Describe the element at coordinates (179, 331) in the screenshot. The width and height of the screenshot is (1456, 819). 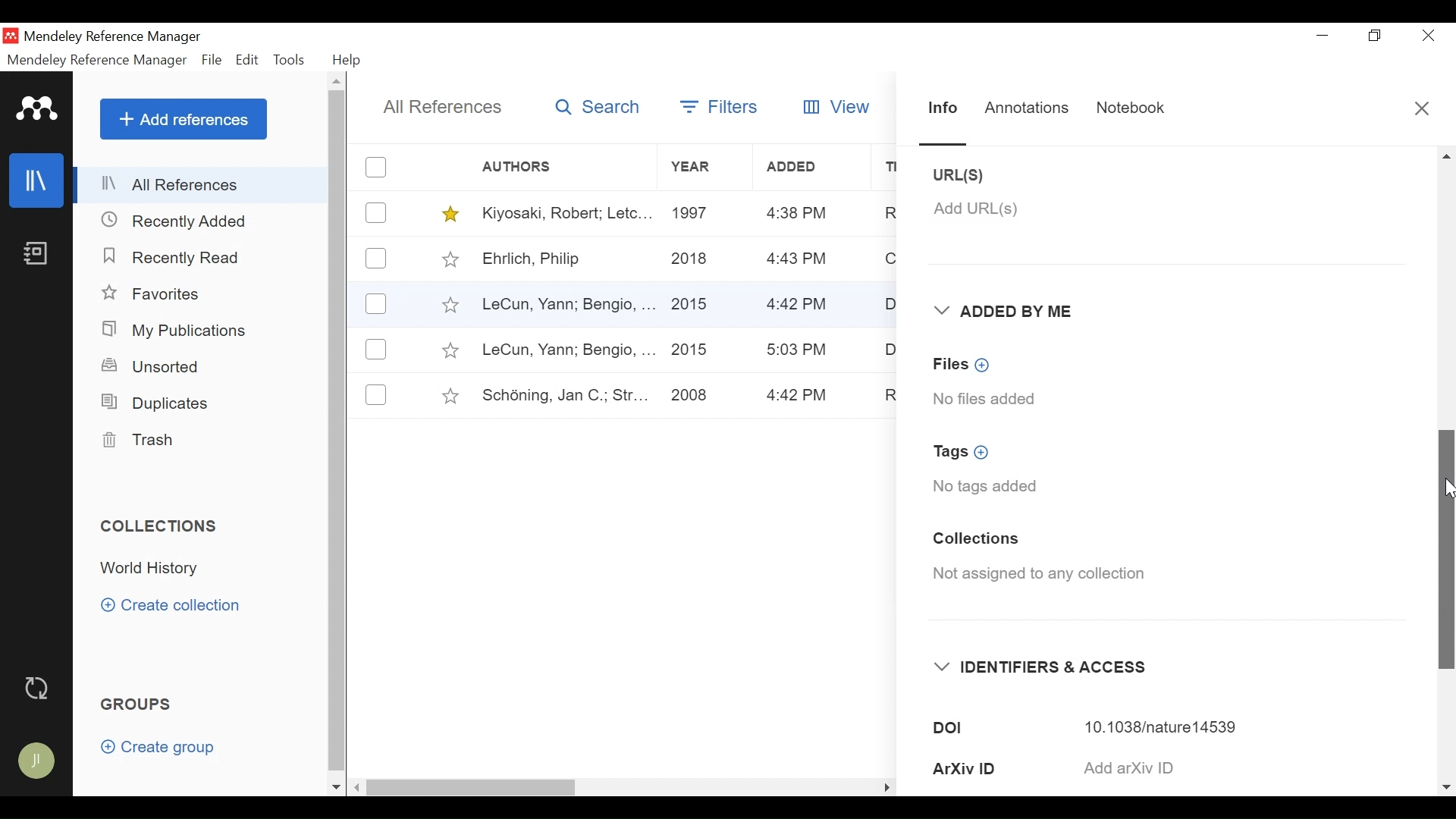
I see `My Publications` at that location.